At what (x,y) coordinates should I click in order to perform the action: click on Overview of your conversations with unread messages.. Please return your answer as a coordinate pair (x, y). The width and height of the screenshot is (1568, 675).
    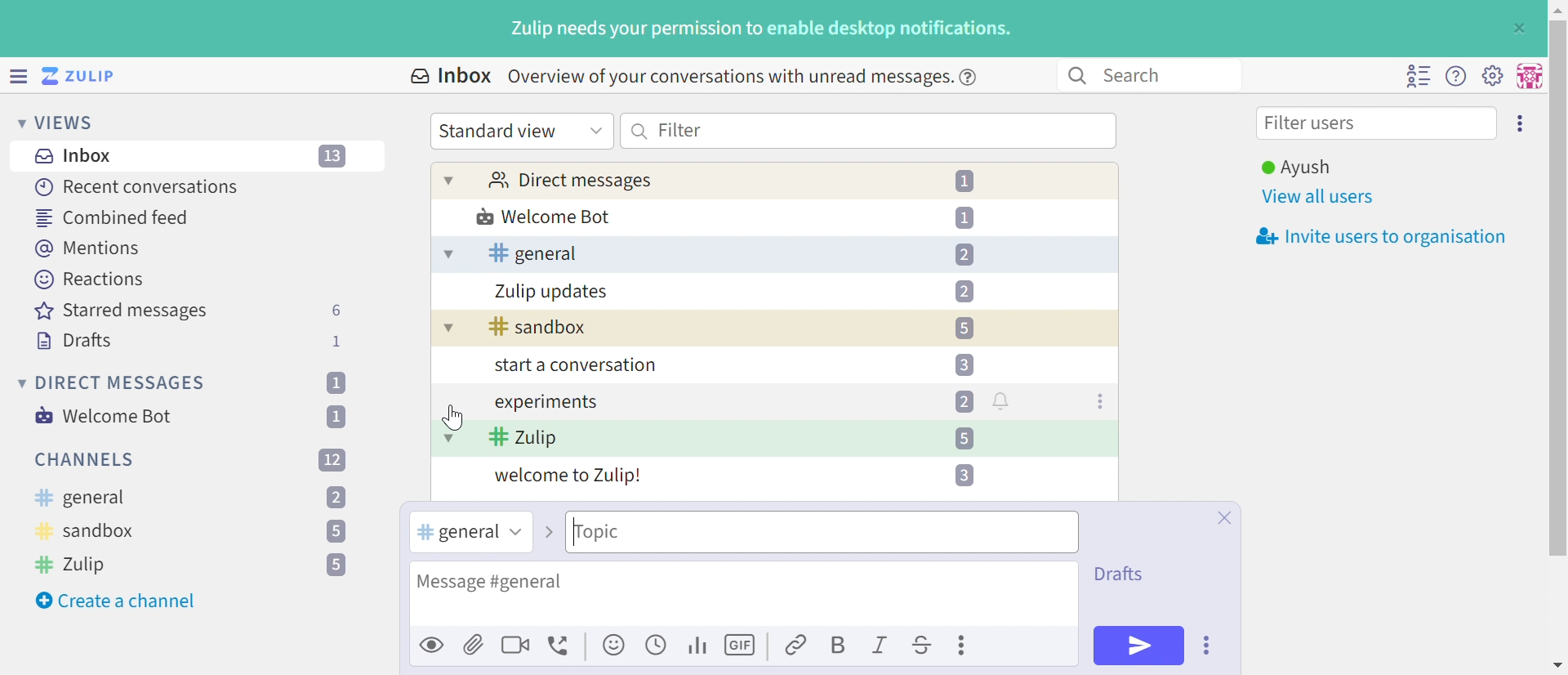
    Looking at the image, I should click on (727, 76).